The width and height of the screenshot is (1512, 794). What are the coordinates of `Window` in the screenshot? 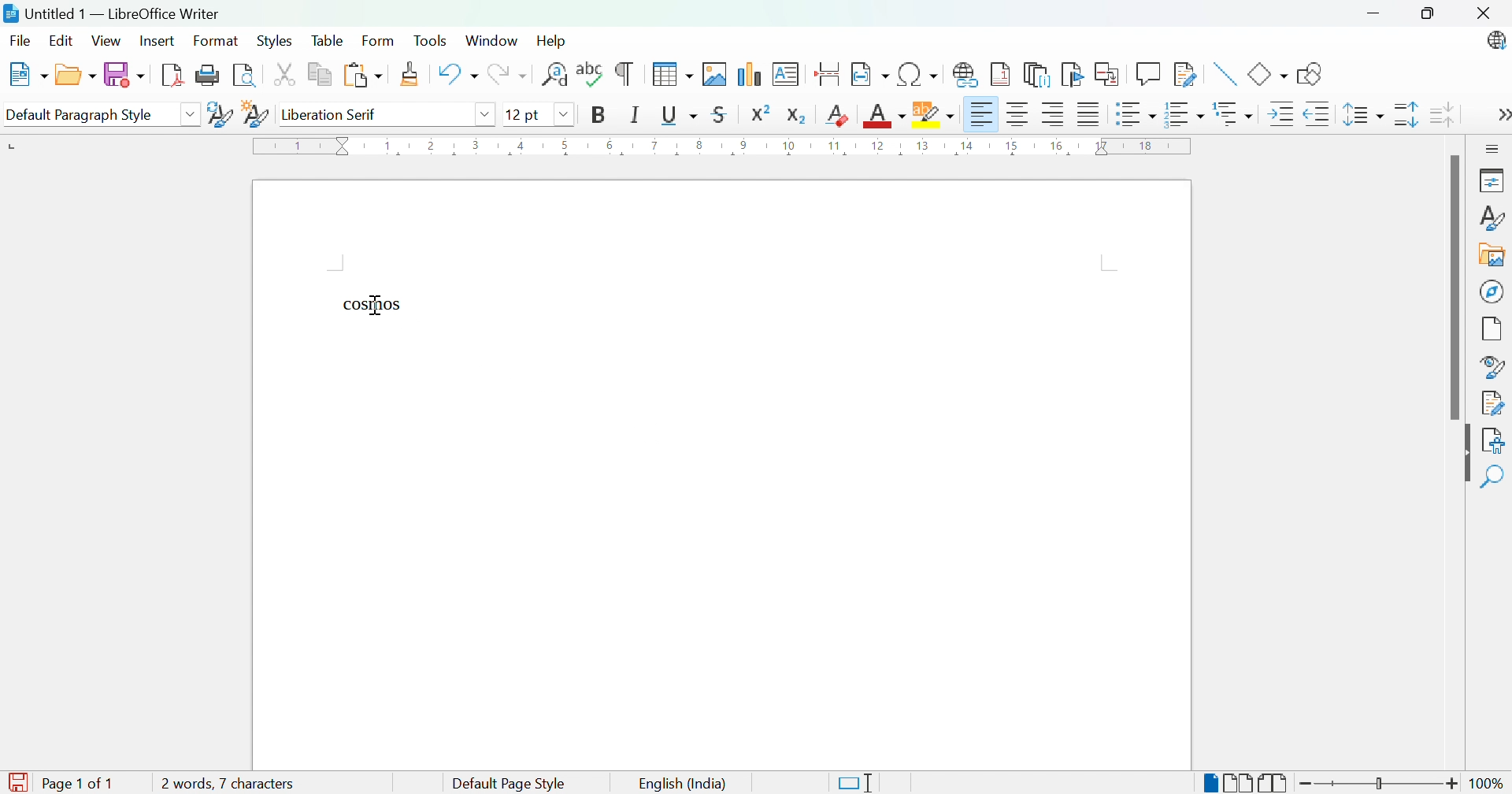 It's located at (492, 41).